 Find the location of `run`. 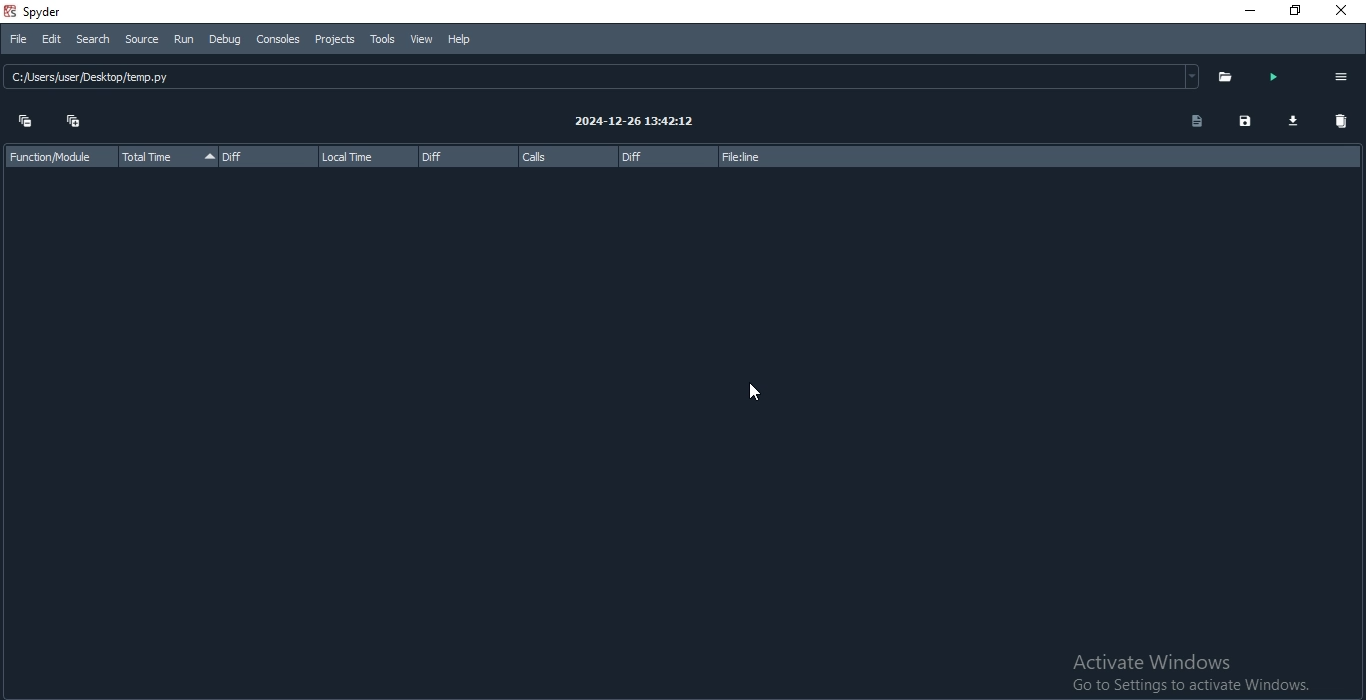

run is located at coordinates (1271, 78).